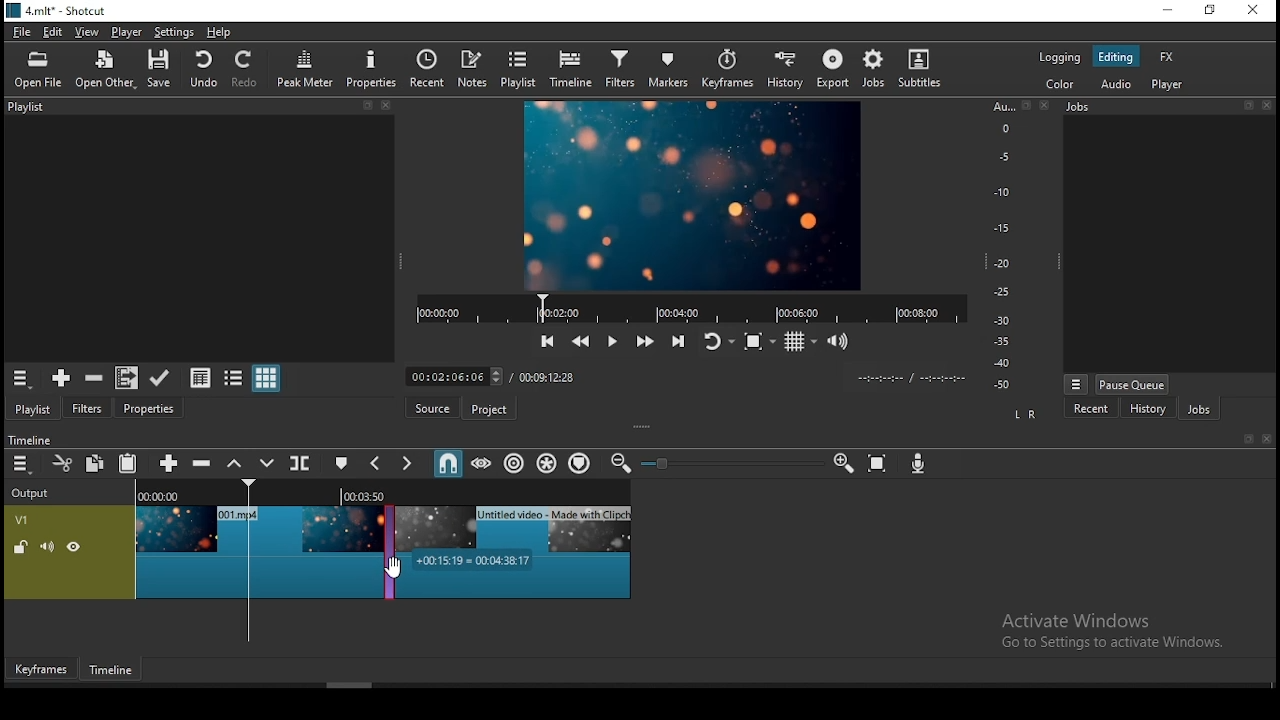 This screenshot has width=1280, height=720. What do you see at coordinates (1132, 385) in the screenshot?
I see `pause queue` at bounding box center [1132, 385].